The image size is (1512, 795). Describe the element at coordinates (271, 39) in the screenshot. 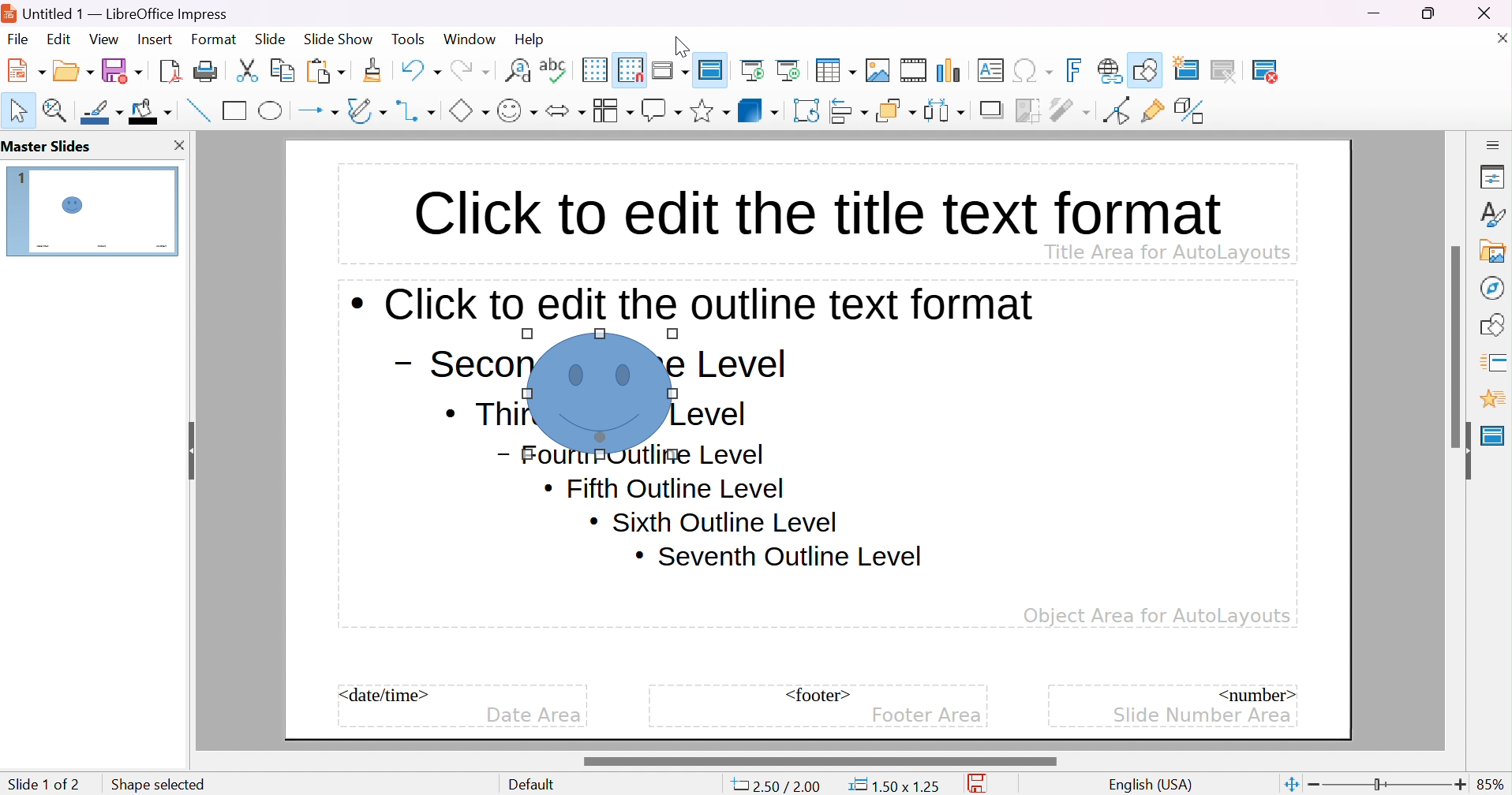

I see `slide` at that location.